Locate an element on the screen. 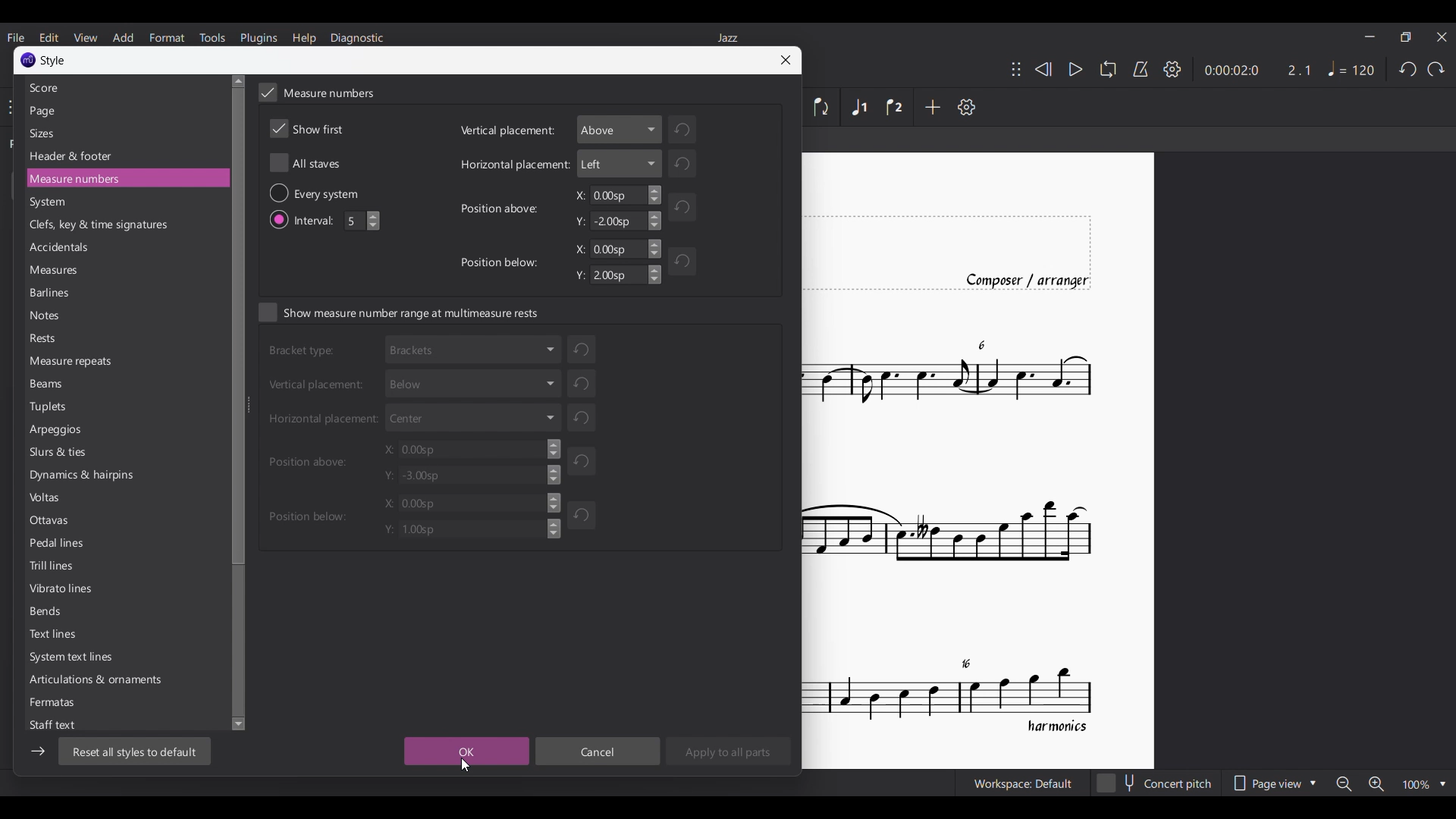  View menu is located at coordinates (85, 37).